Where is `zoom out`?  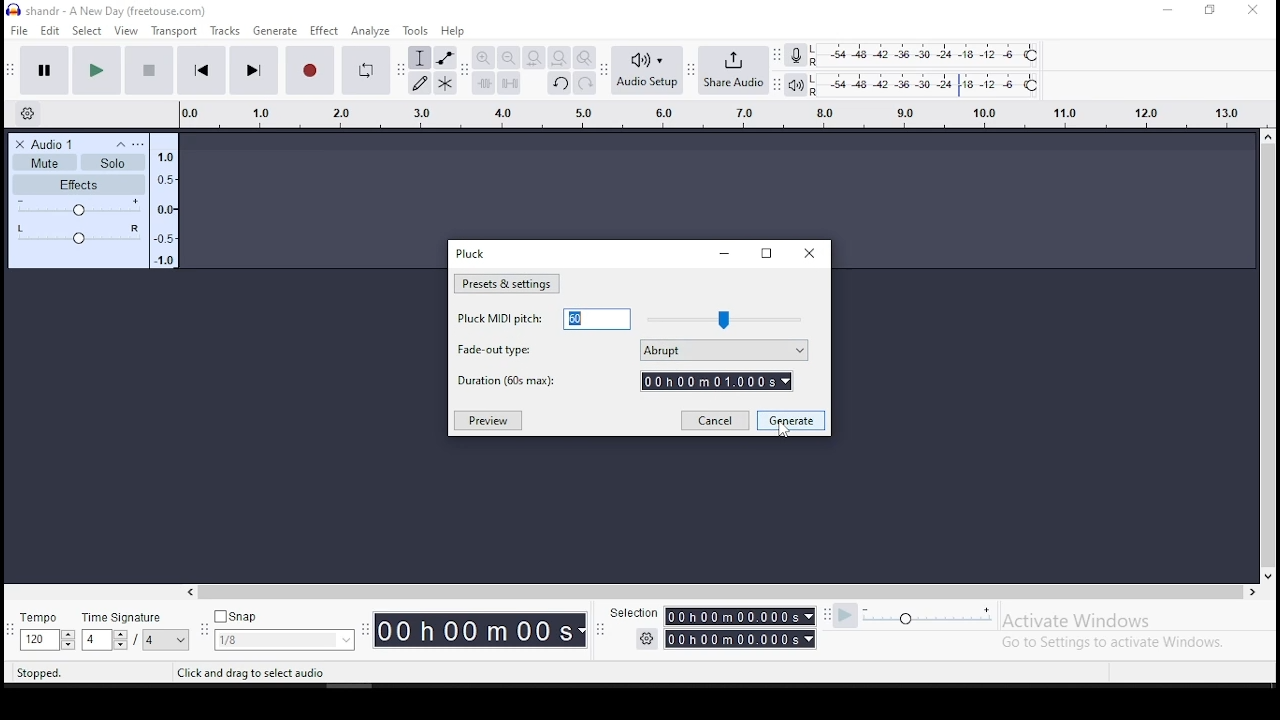 zoom out is located at coordinates (508, 58).